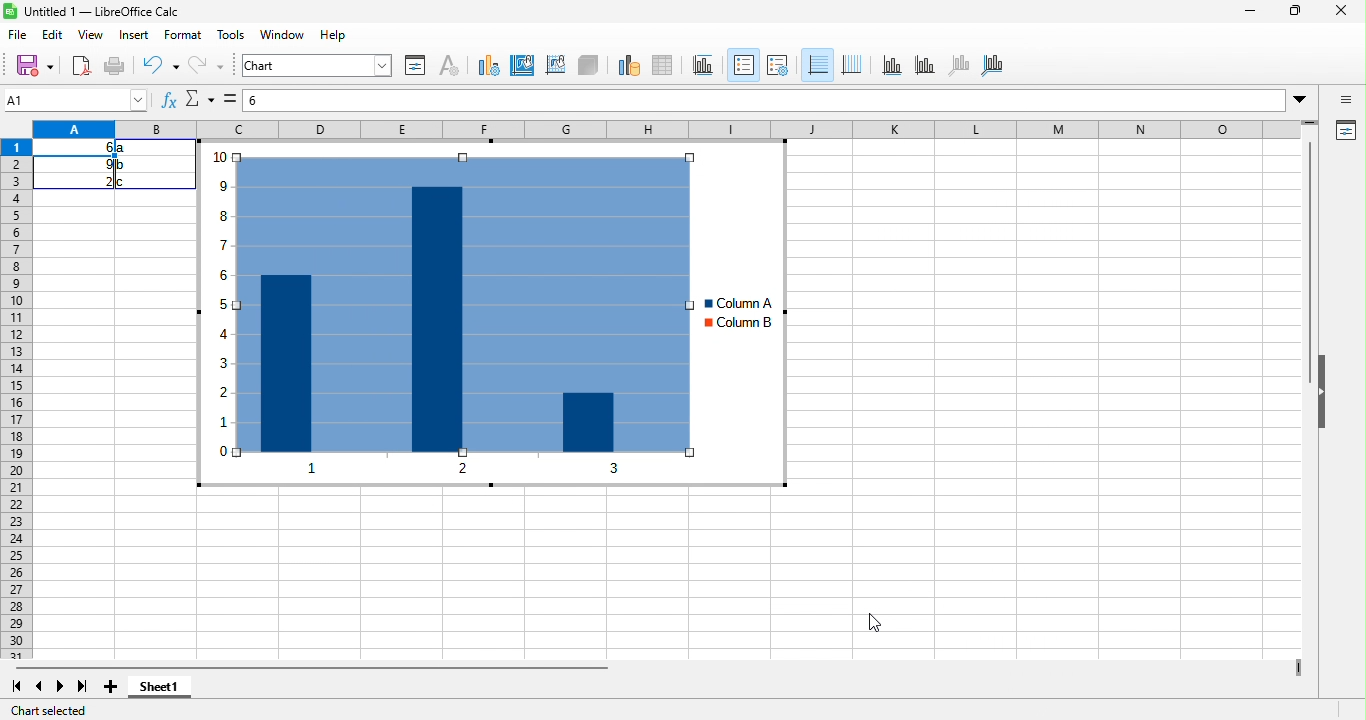 The width and height of the screenshot is (1366, 720). I want to click on properties, so click(416, 65).